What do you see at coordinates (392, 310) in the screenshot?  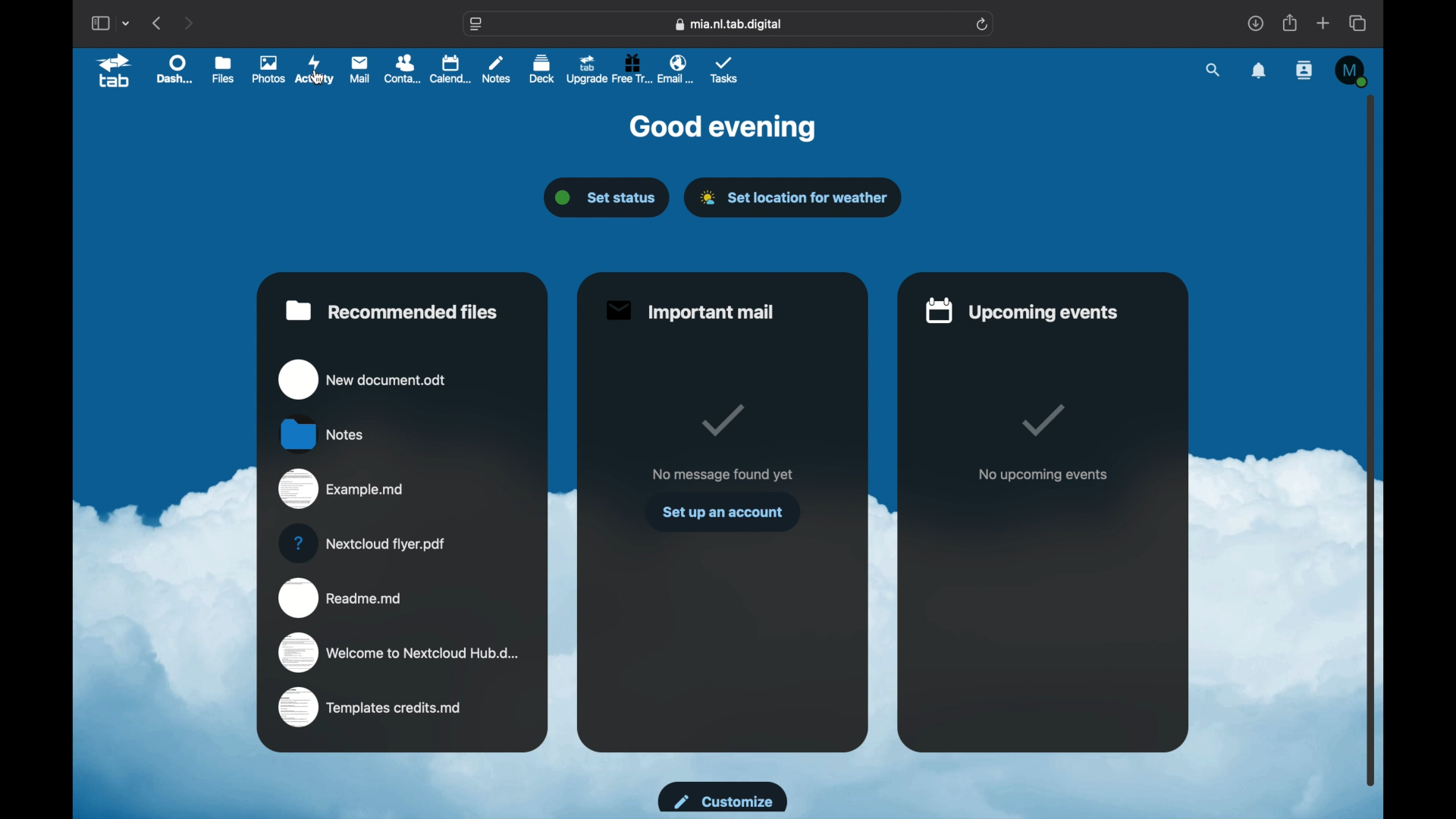 I see `recommendation files` at bounding box center [392, 310].